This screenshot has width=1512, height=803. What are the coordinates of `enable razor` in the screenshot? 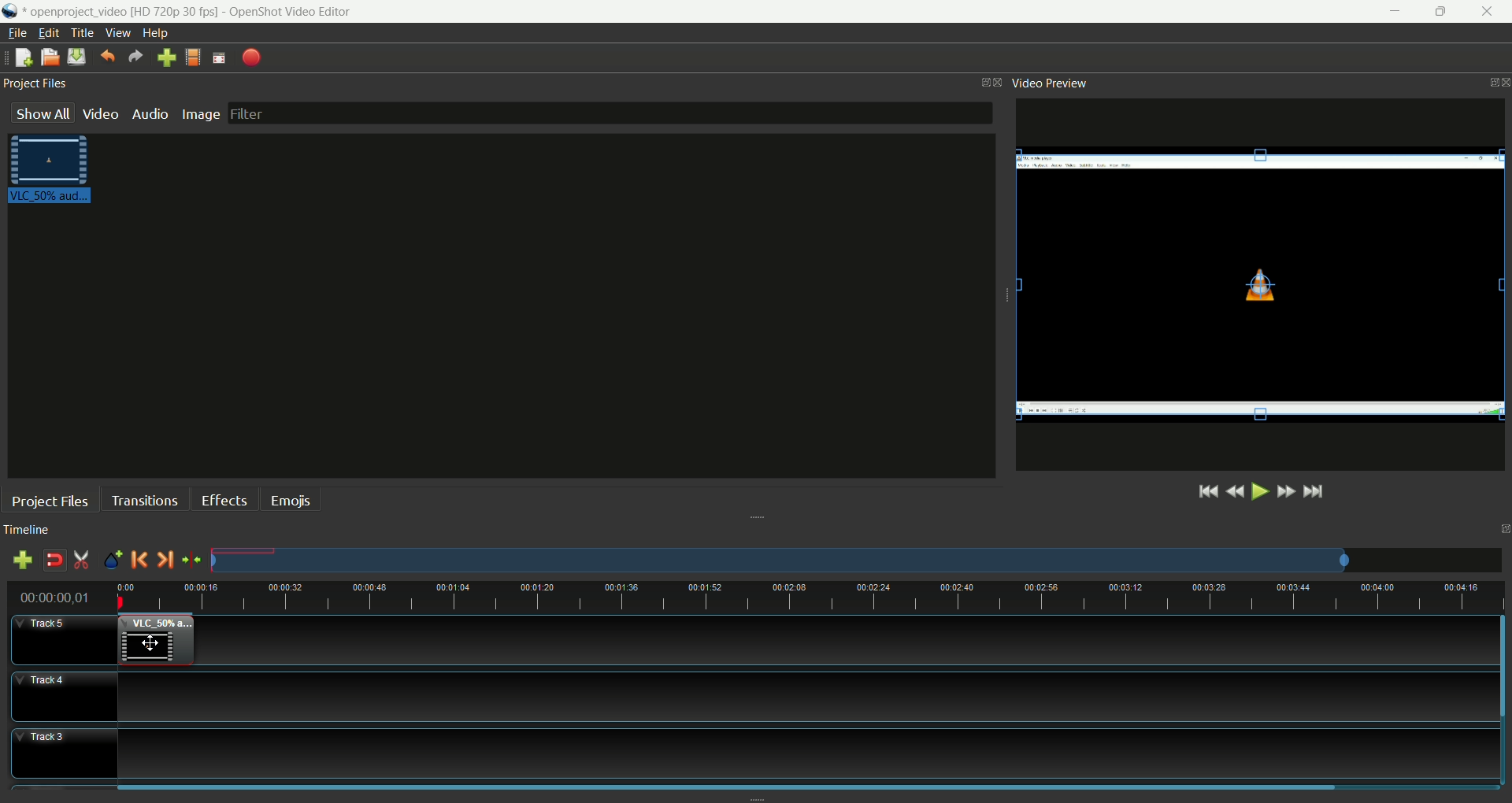 It's located at (80, 561).